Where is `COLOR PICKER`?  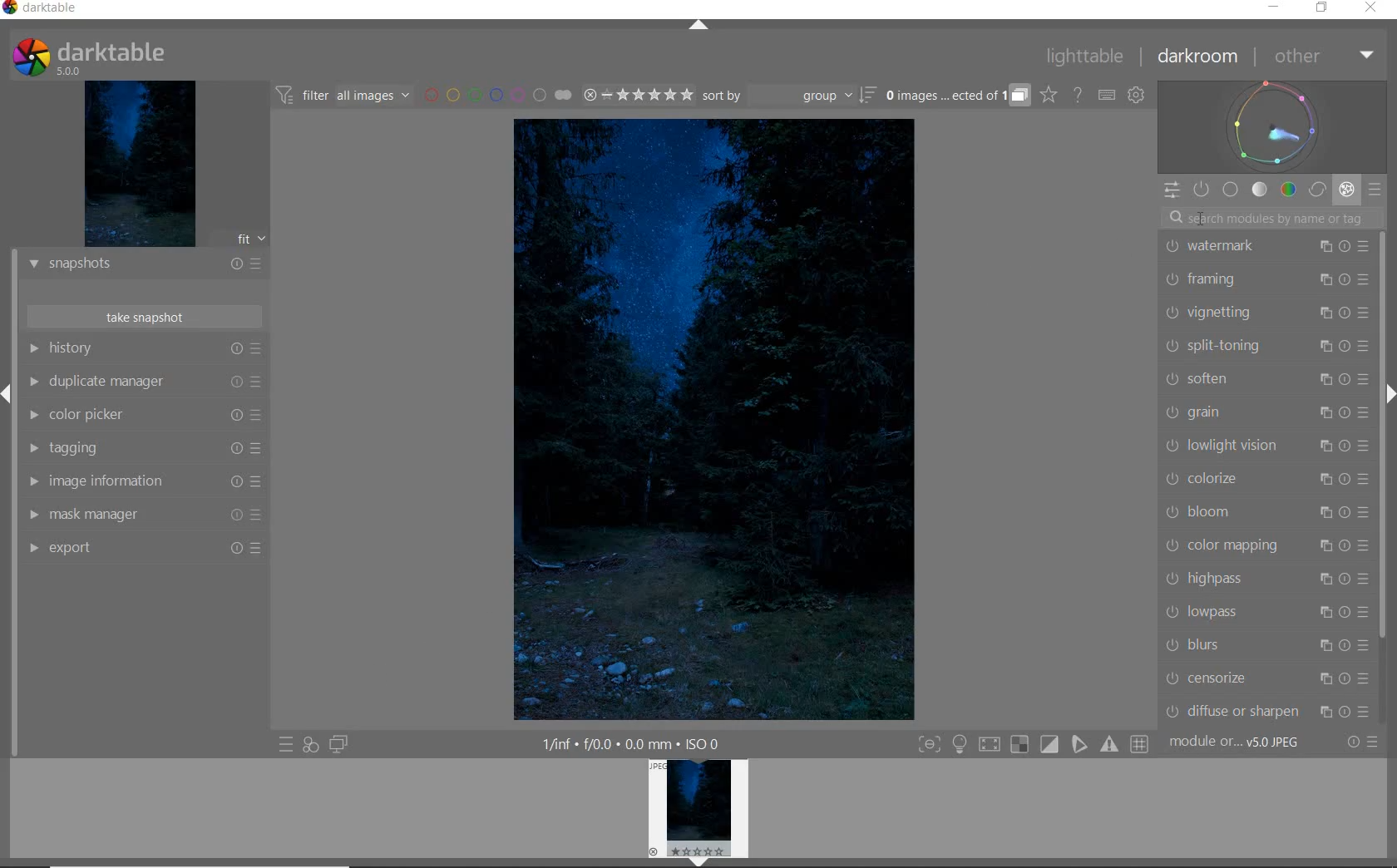
COLOR PICKER is located at coordinates (144, 417).